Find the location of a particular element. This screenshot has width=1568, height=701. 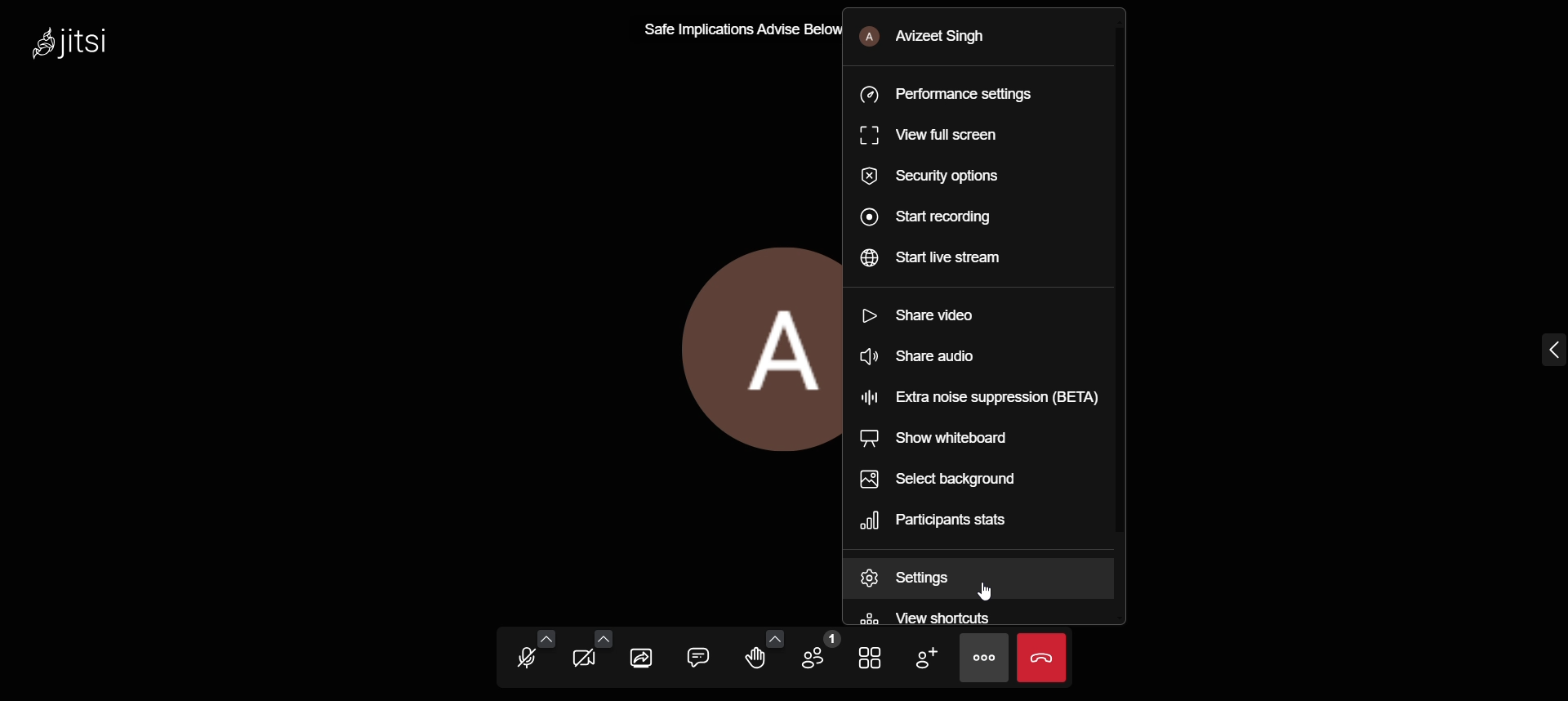

Extra Noise Suppression (BETA) is located at coordinates (980, 399).